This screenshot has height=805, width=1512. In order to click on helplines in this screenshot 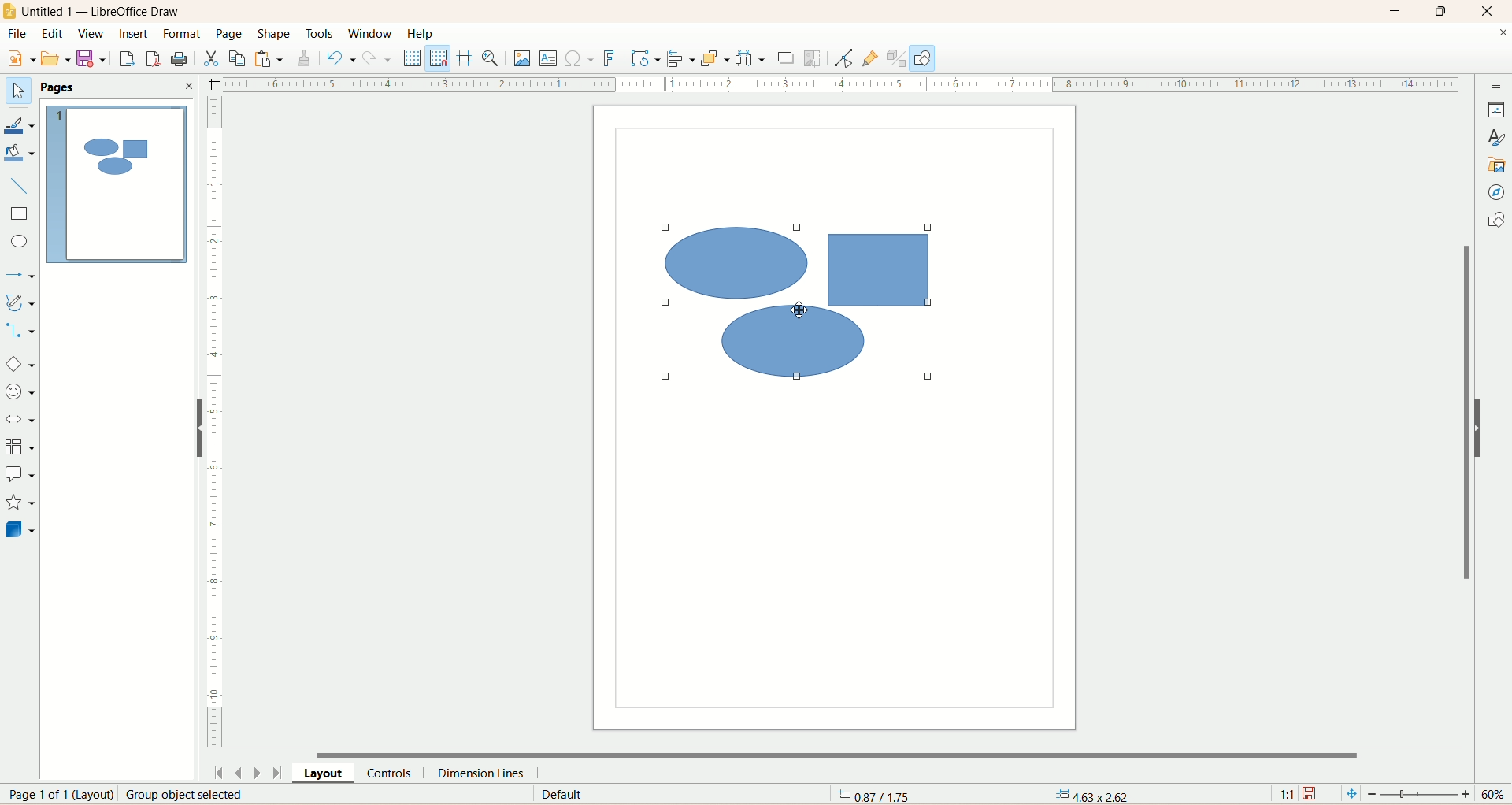, I will do `click(465, 59)`.